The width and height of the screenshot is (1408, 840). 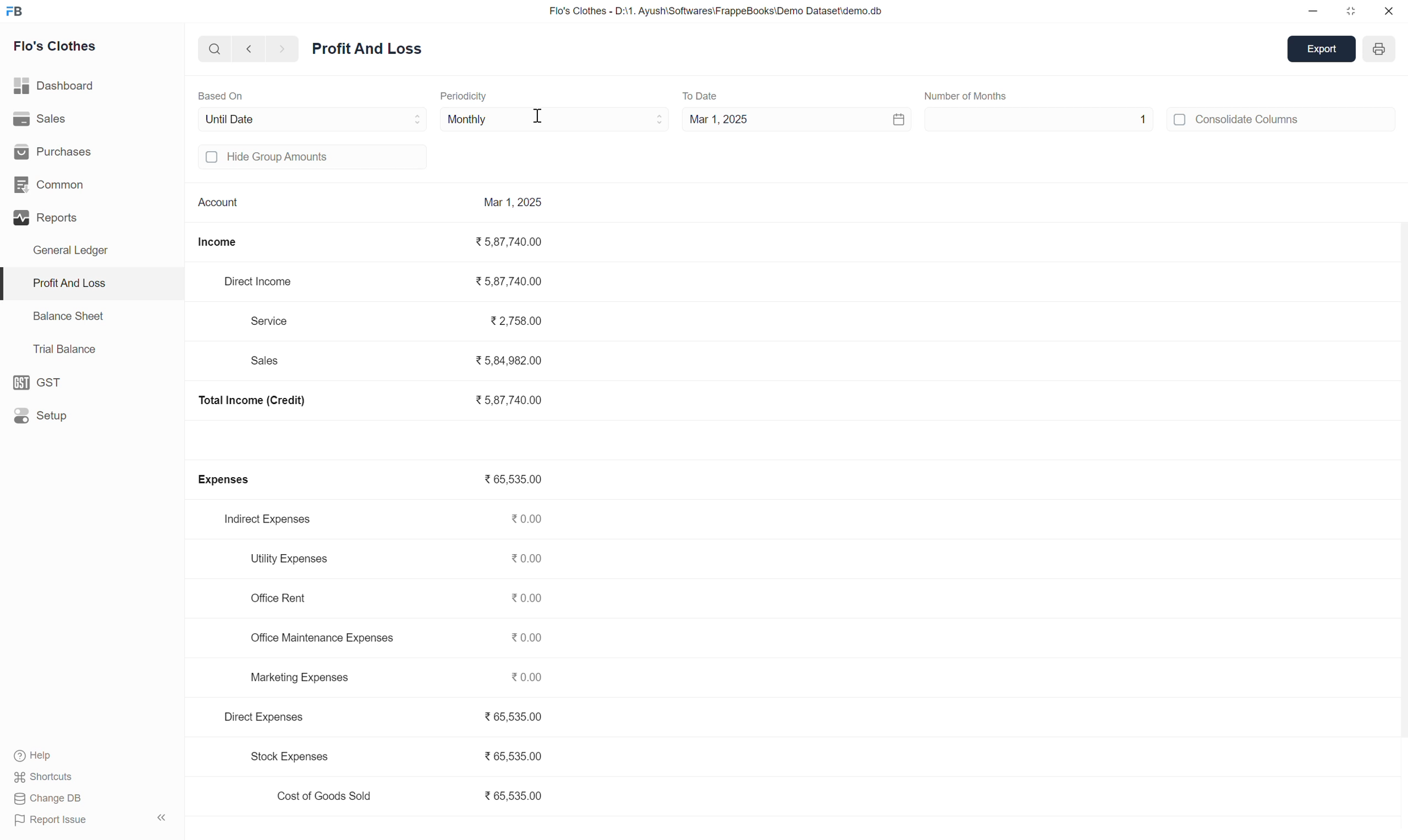 I want to click on Search bar, so click(x=207, y=52).